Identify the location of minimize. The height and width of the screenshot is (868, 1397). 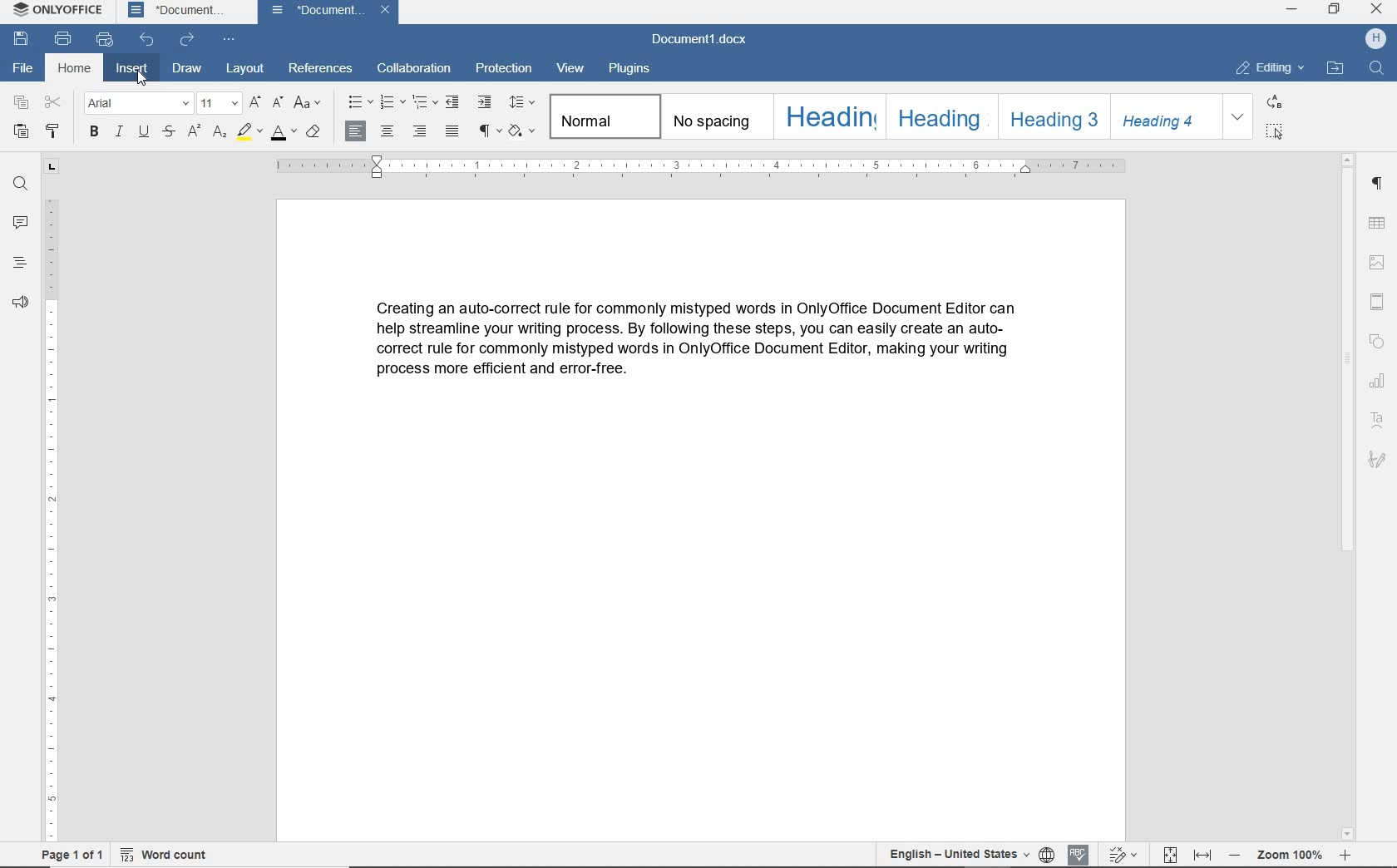
(1291, 10).